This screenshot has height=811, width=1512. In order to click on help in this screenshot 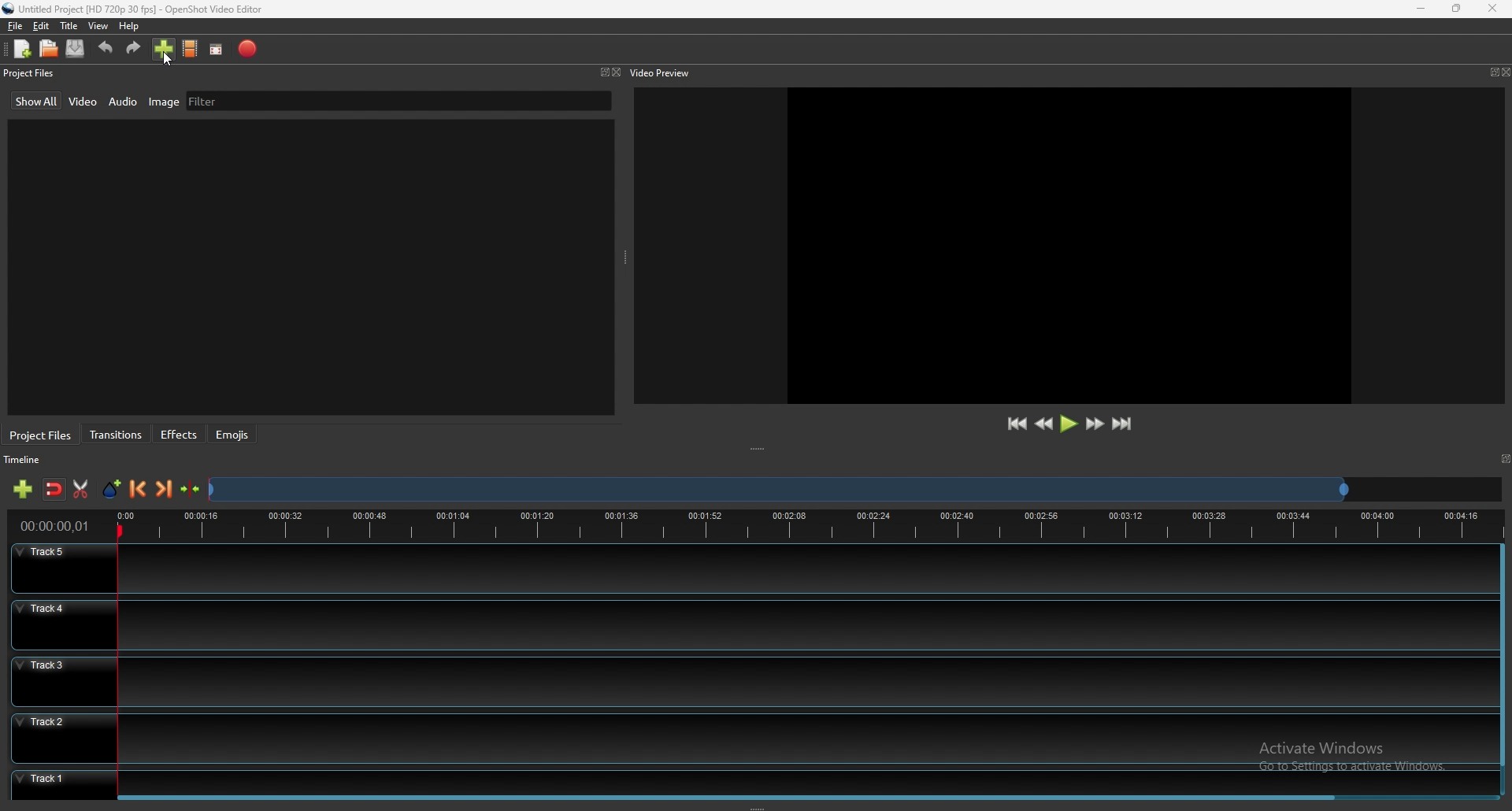, I will do `click(128, 27)`.